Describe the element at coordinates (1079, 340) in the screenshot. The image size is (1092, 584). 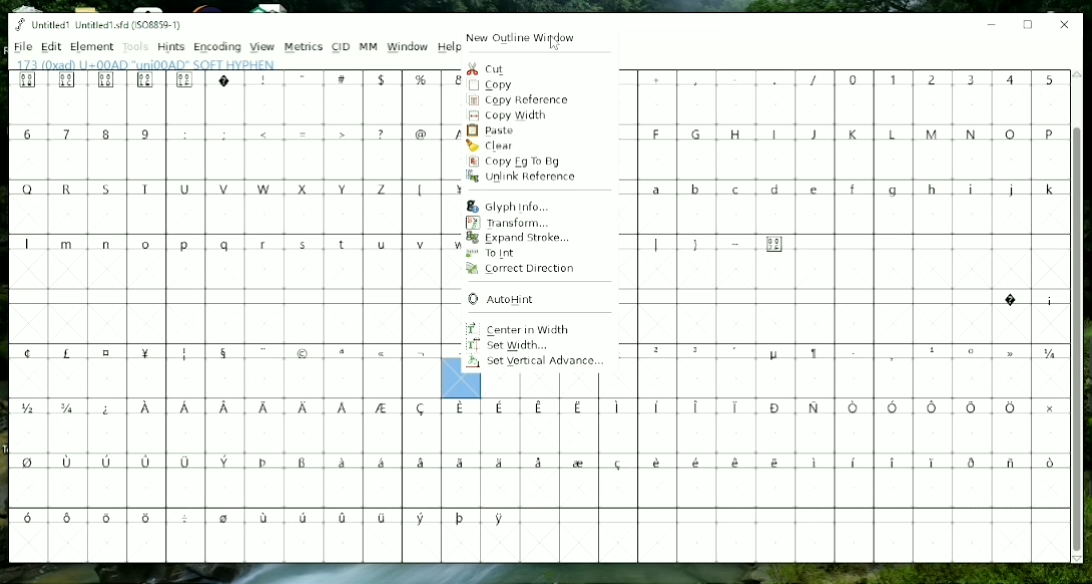
I see `Vertical scrollbar` at that location.